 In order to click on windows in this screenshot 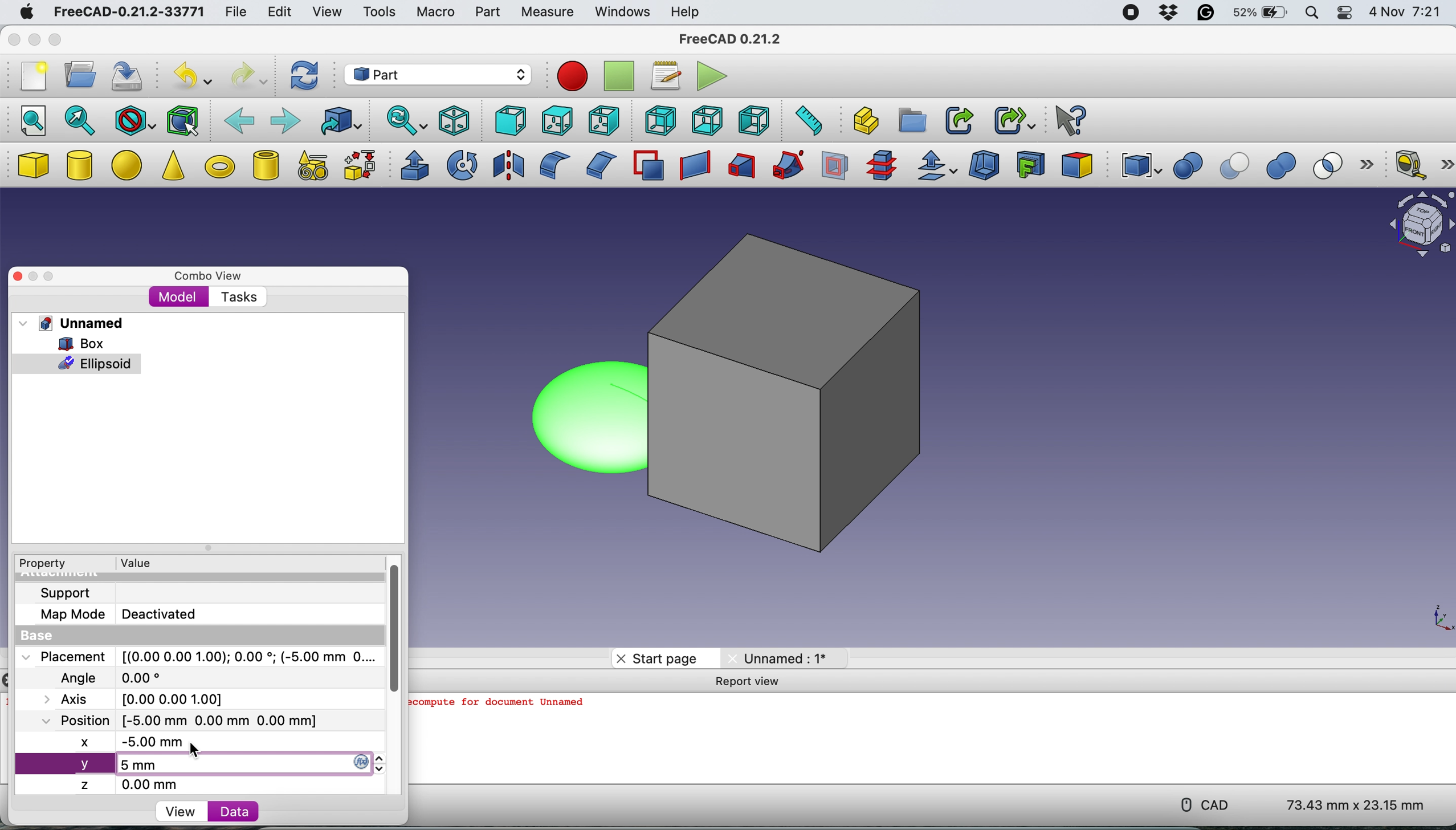, I will do `click(622, 13)`.